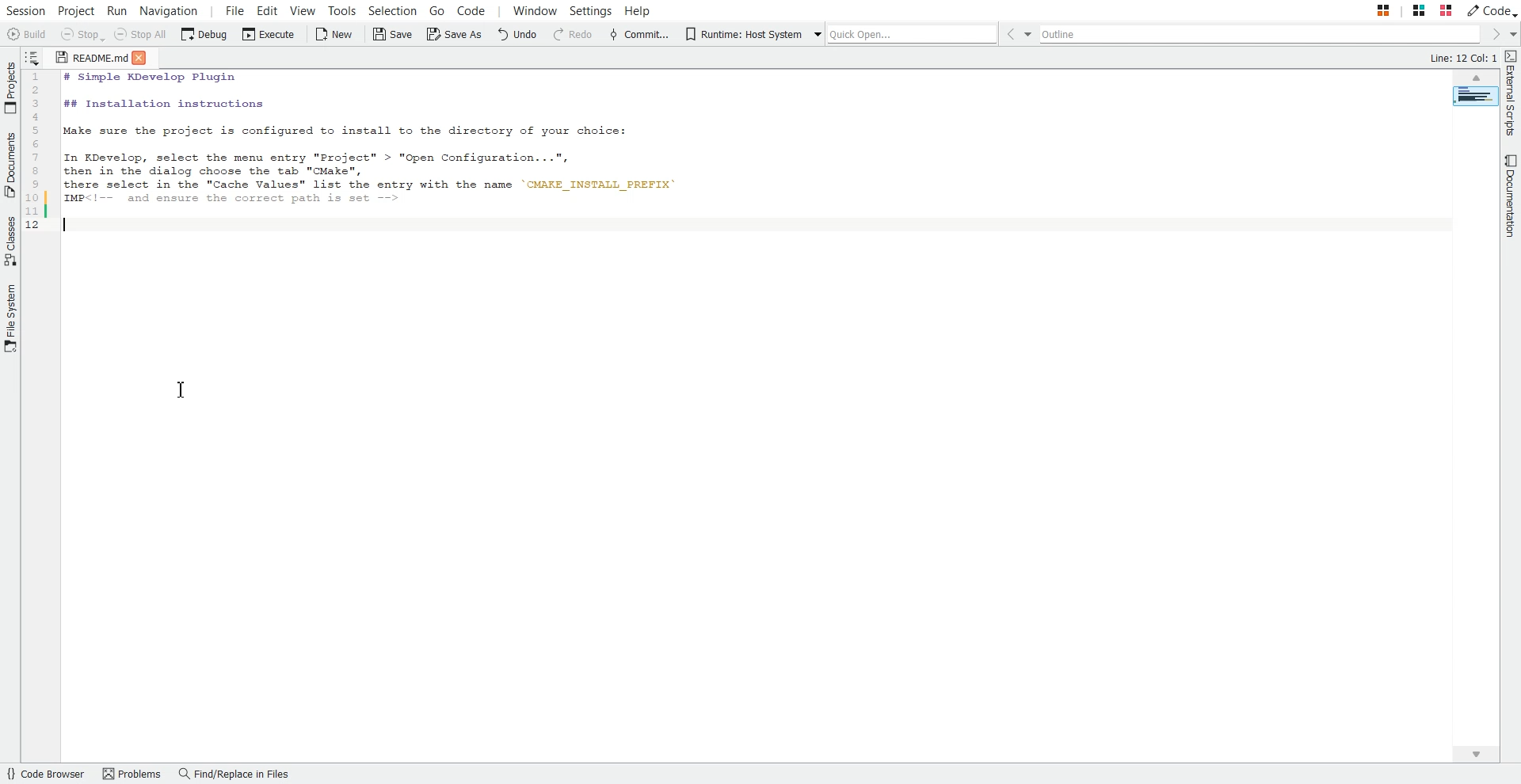 The width and height of the screenshot is (1521, 784). Describe the element at coordinates (25, 34) in the screenshot. I see `Build` at that location.